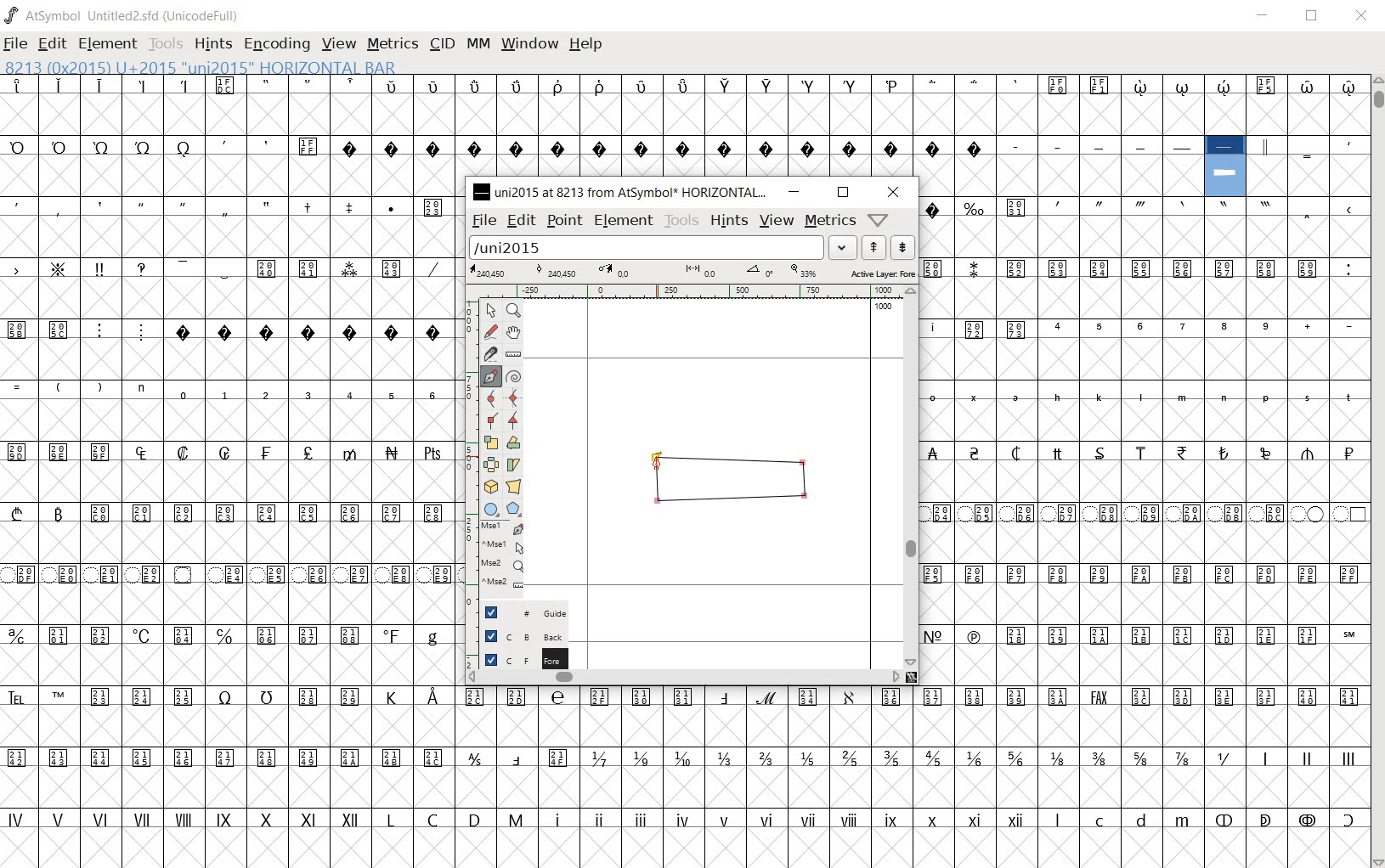  Describe the element at coordinates (894, 192) in the screenshot. I see `close` at that location.